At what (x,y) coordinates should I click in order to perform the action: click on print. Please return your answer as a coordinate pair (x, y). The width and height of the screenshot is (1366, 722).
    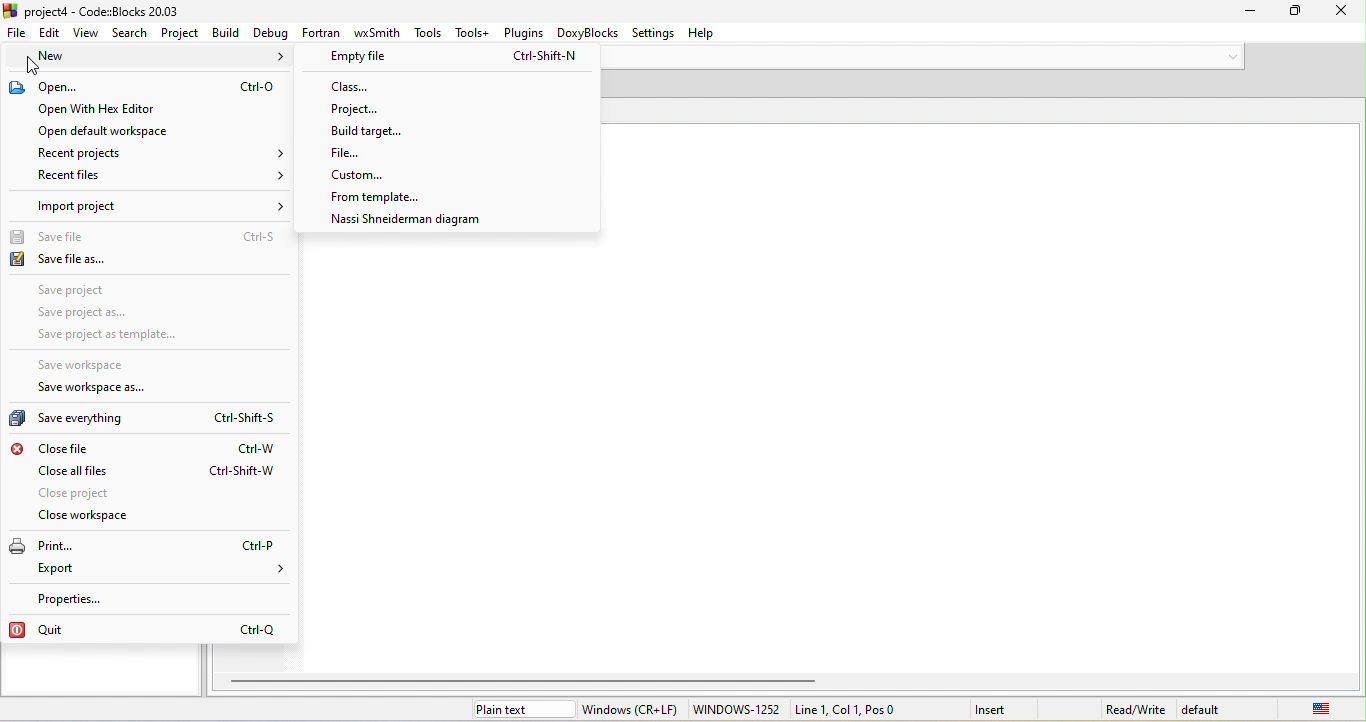
    Looking at the image, I should click on (145, 542).